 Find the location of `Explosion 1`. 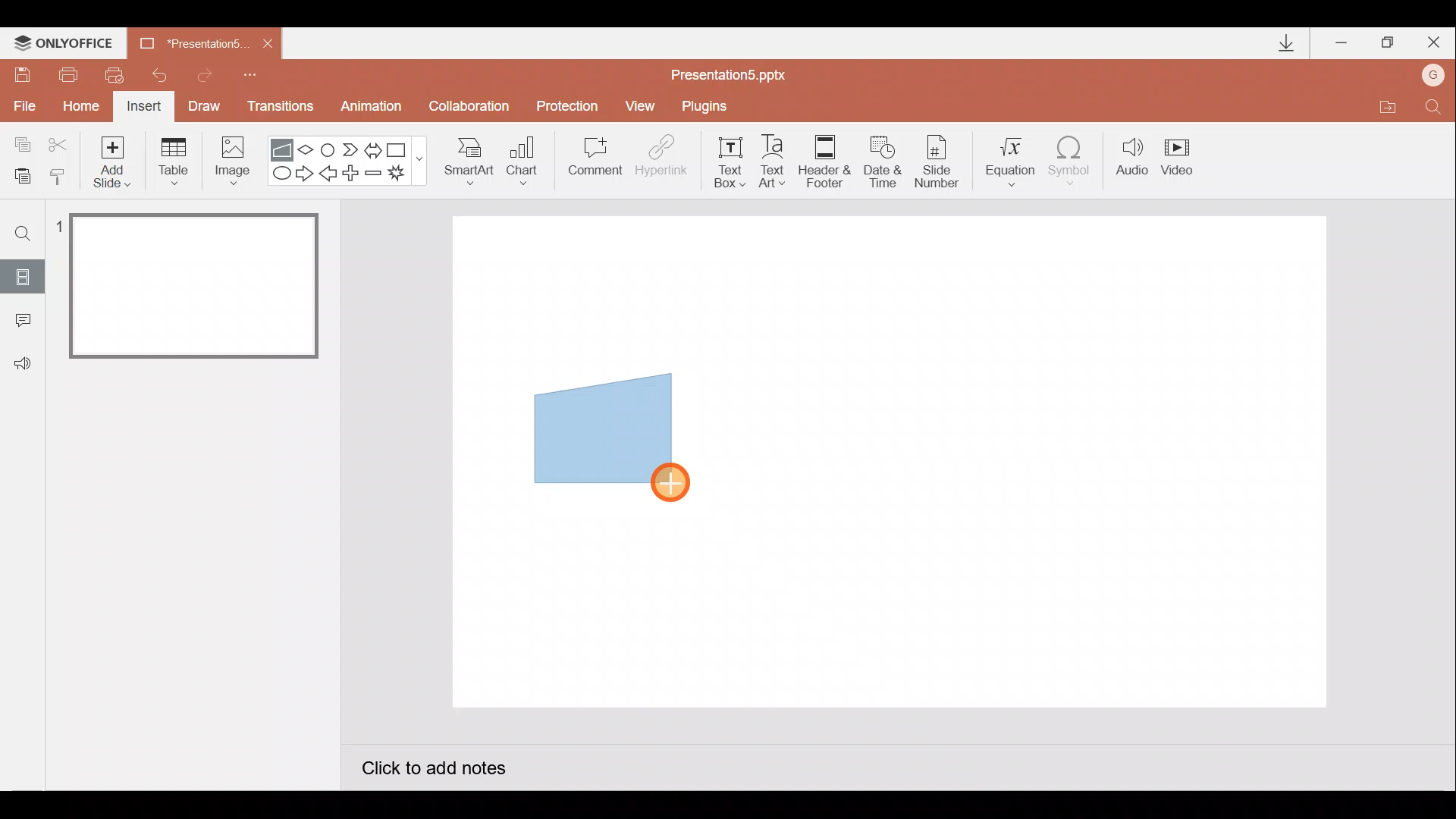

Explosion 1 is located at coordinates (406, 175).